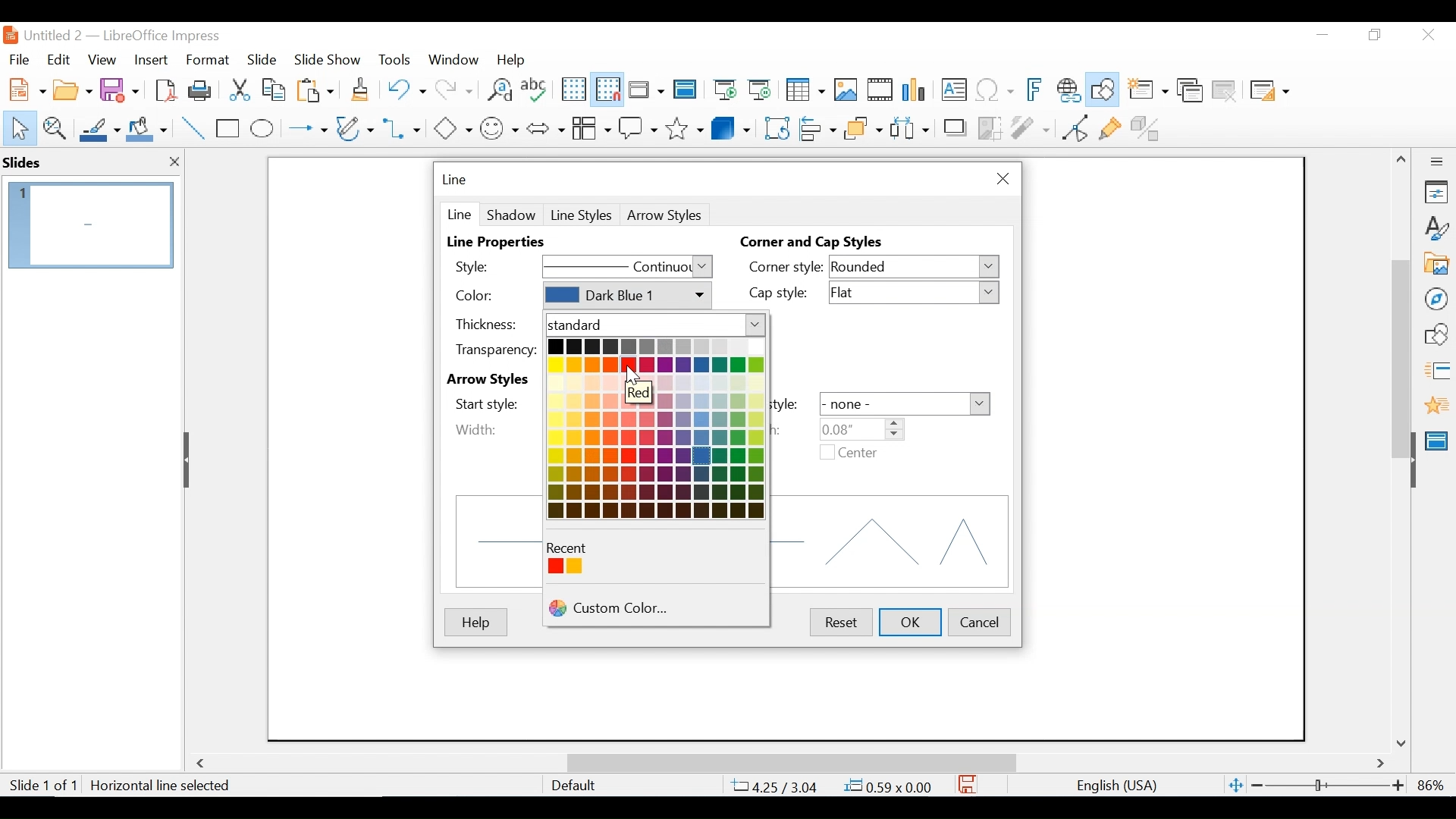 Image resolution: width=1456 pixels, height=819 pixels. What do you see at coordinates (574, 548) in the screenshot?
I see `Recent Colors` at bounding box center [574, 548].